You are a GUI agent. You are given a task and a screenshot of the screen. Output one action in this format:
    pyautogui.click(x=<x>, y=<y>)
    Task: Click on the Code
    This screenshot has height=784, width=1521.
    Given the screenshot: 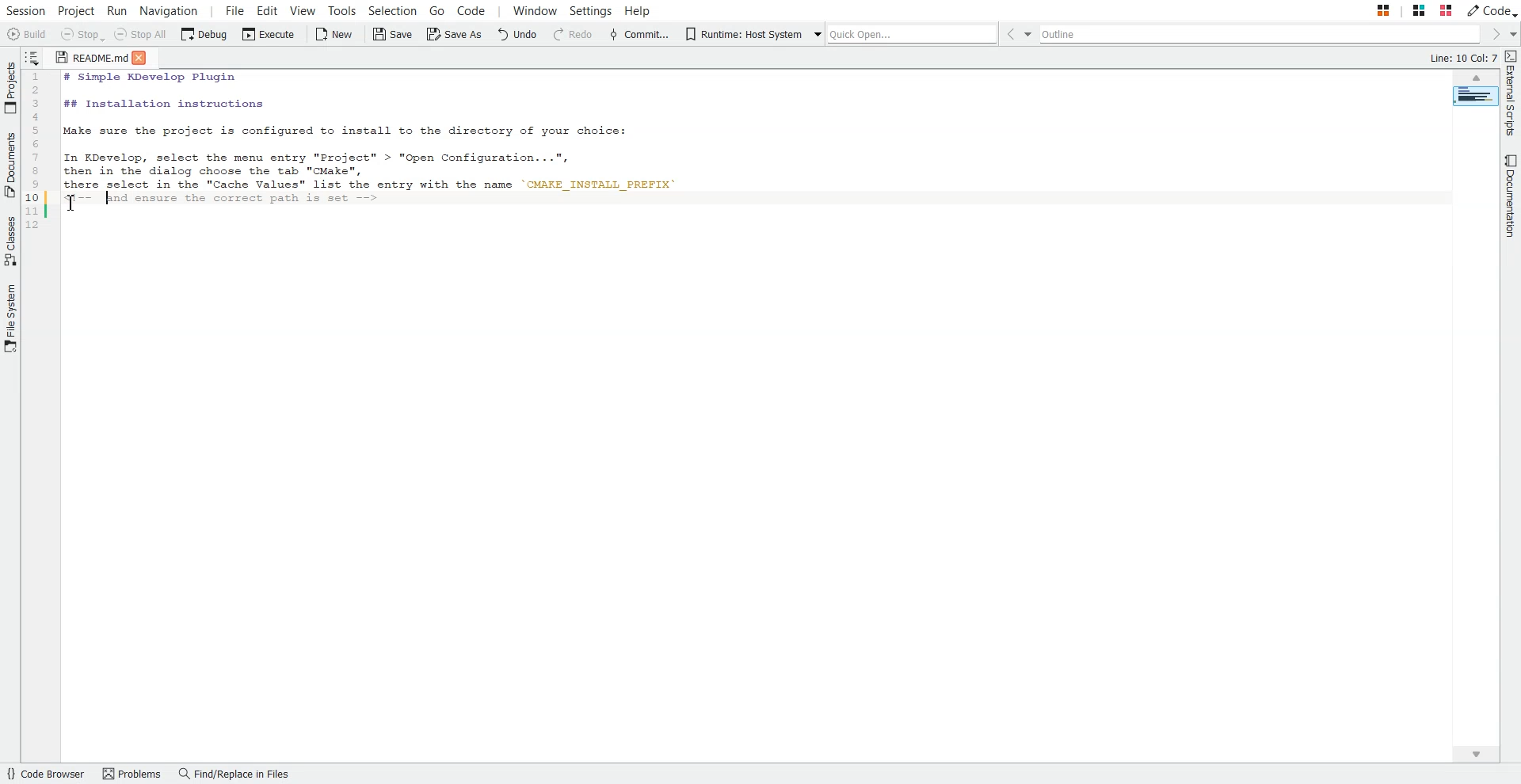 What is the action you would take?
    pyautogui.click(x=470, y=10)
    